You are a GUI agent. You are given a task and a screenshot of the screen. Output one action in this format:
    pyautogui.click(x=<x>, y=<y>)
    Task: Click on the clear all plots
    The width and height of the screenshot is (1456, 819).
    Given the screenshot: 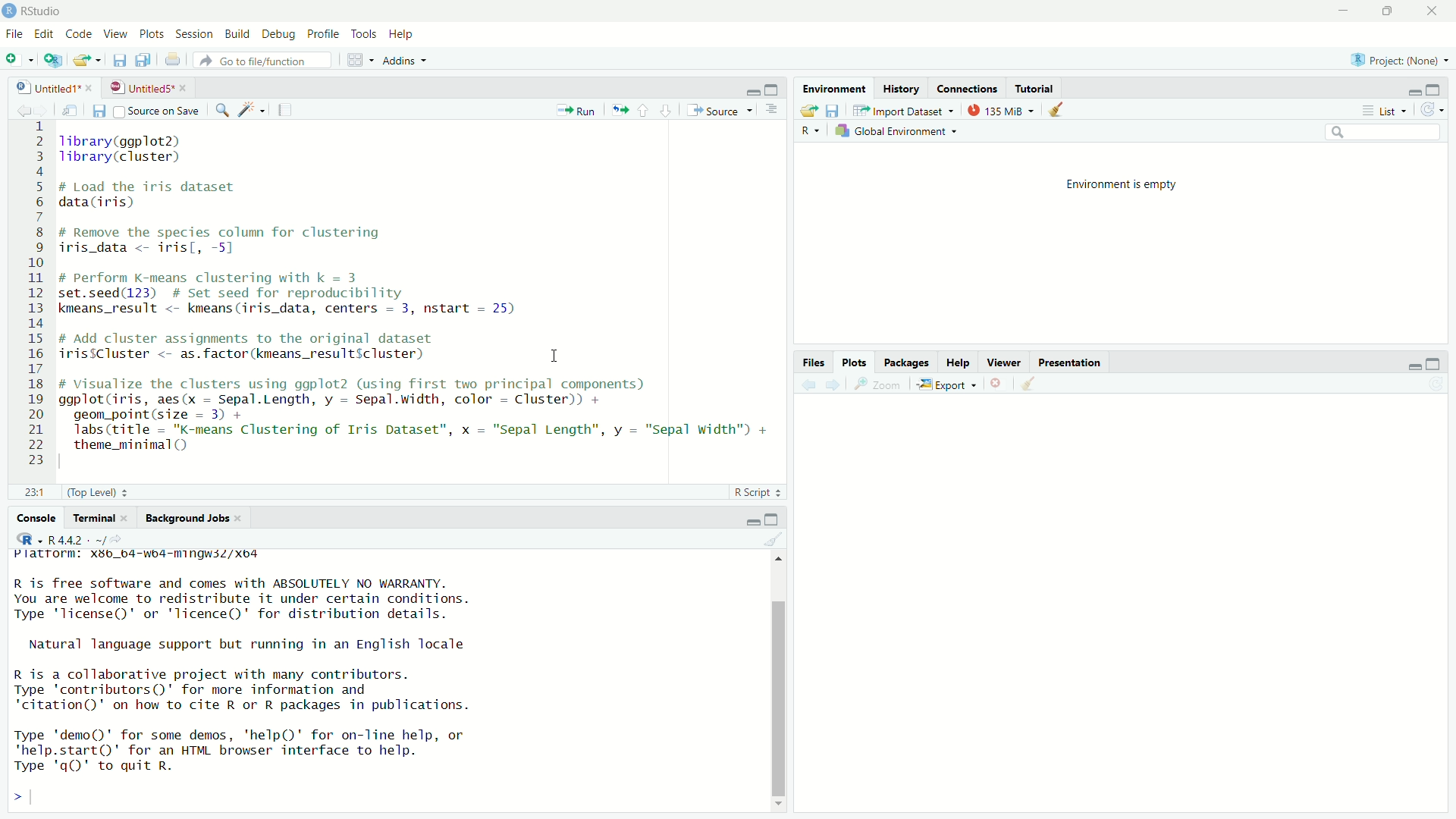 What is the action you would take?
    pyautogui.click(x=1028, y=385)
    